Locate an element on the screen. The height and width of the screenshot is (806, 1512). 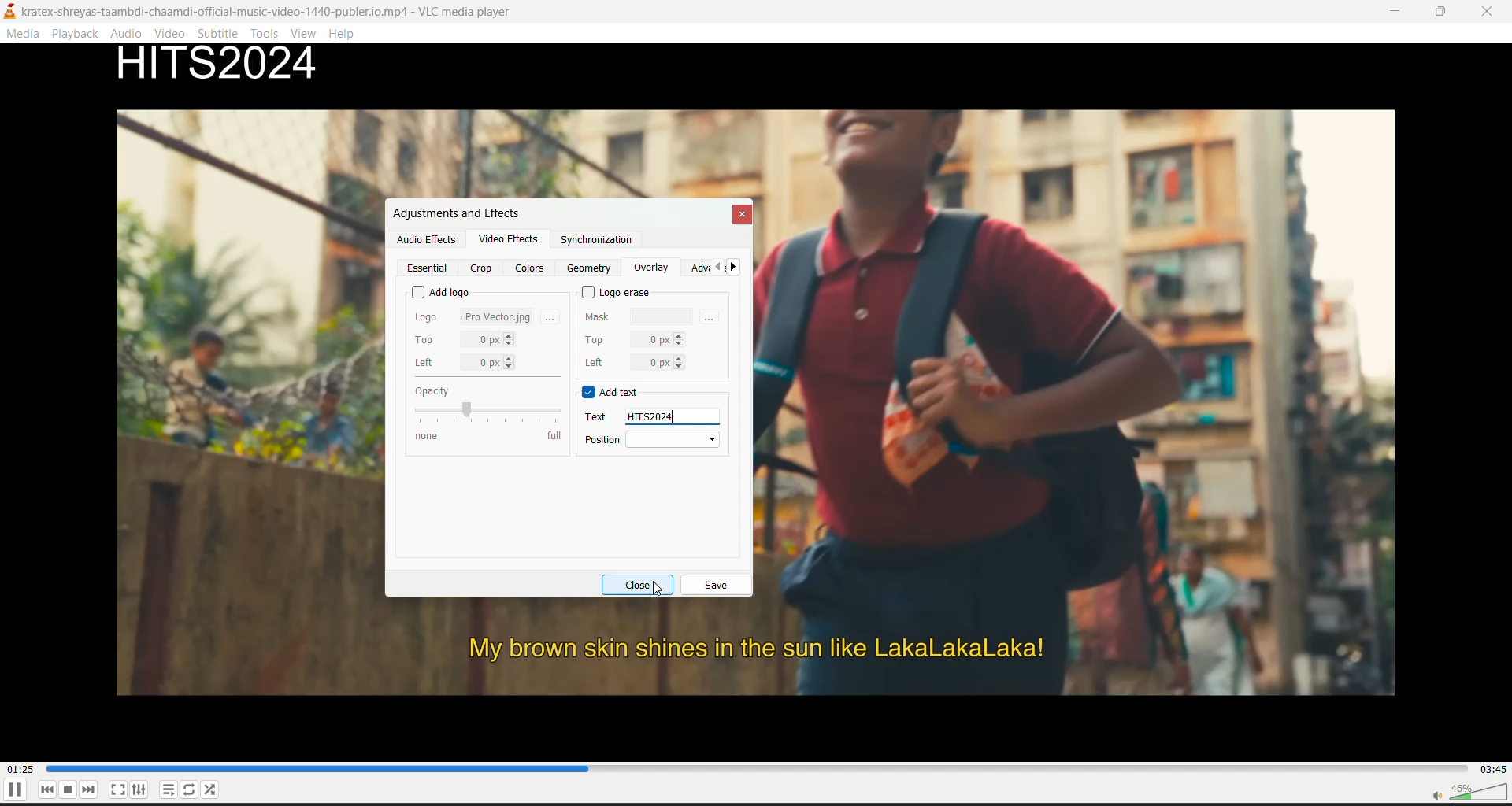
next is located at coordinates (738, 268).